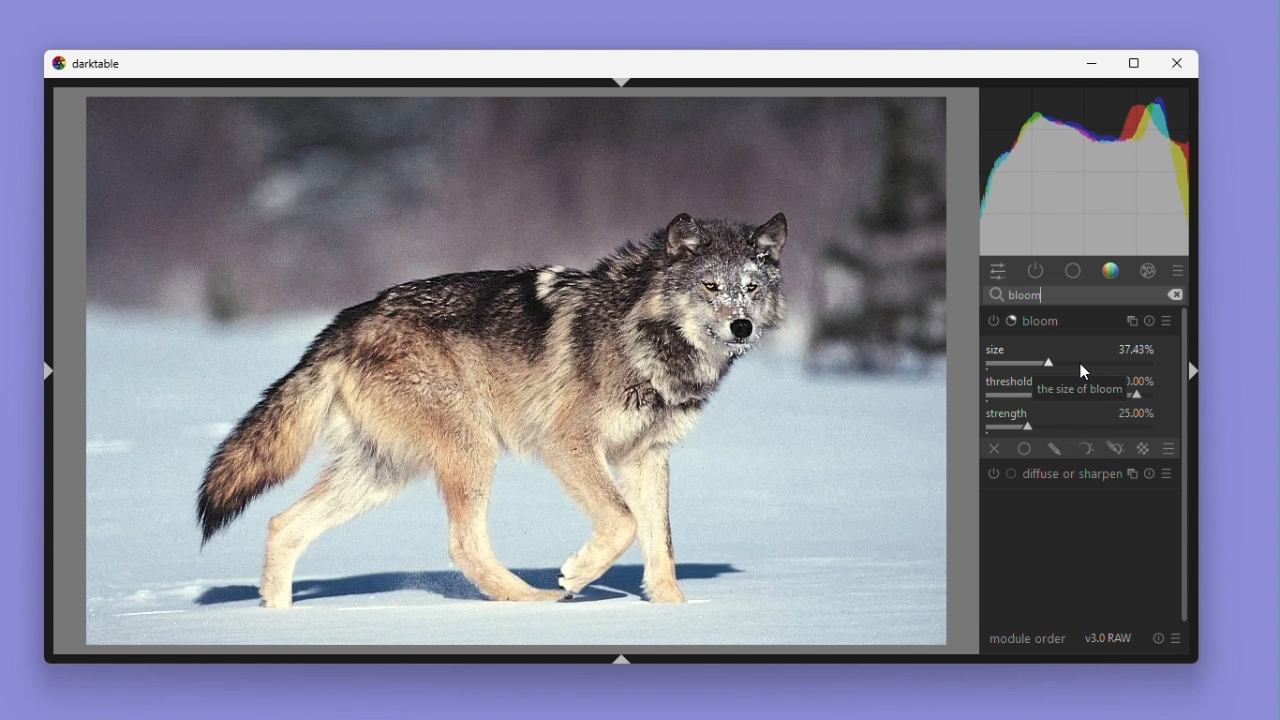  Describe the element at coordinates (1076, 429) in the screenshot. I see `` at that location.